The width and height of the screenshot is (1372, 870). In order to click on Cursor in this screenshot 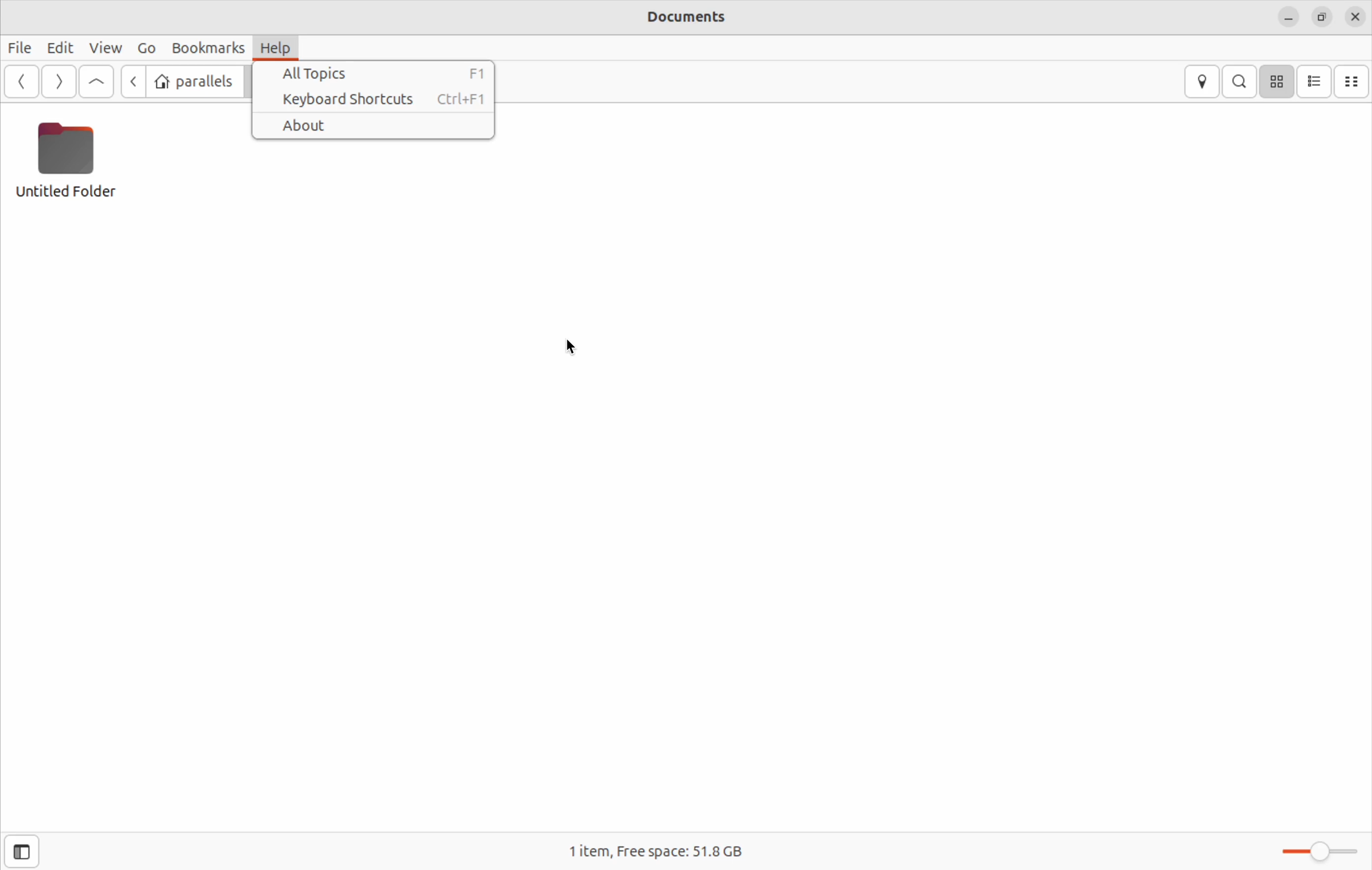, I will do `click(571, 349)`.